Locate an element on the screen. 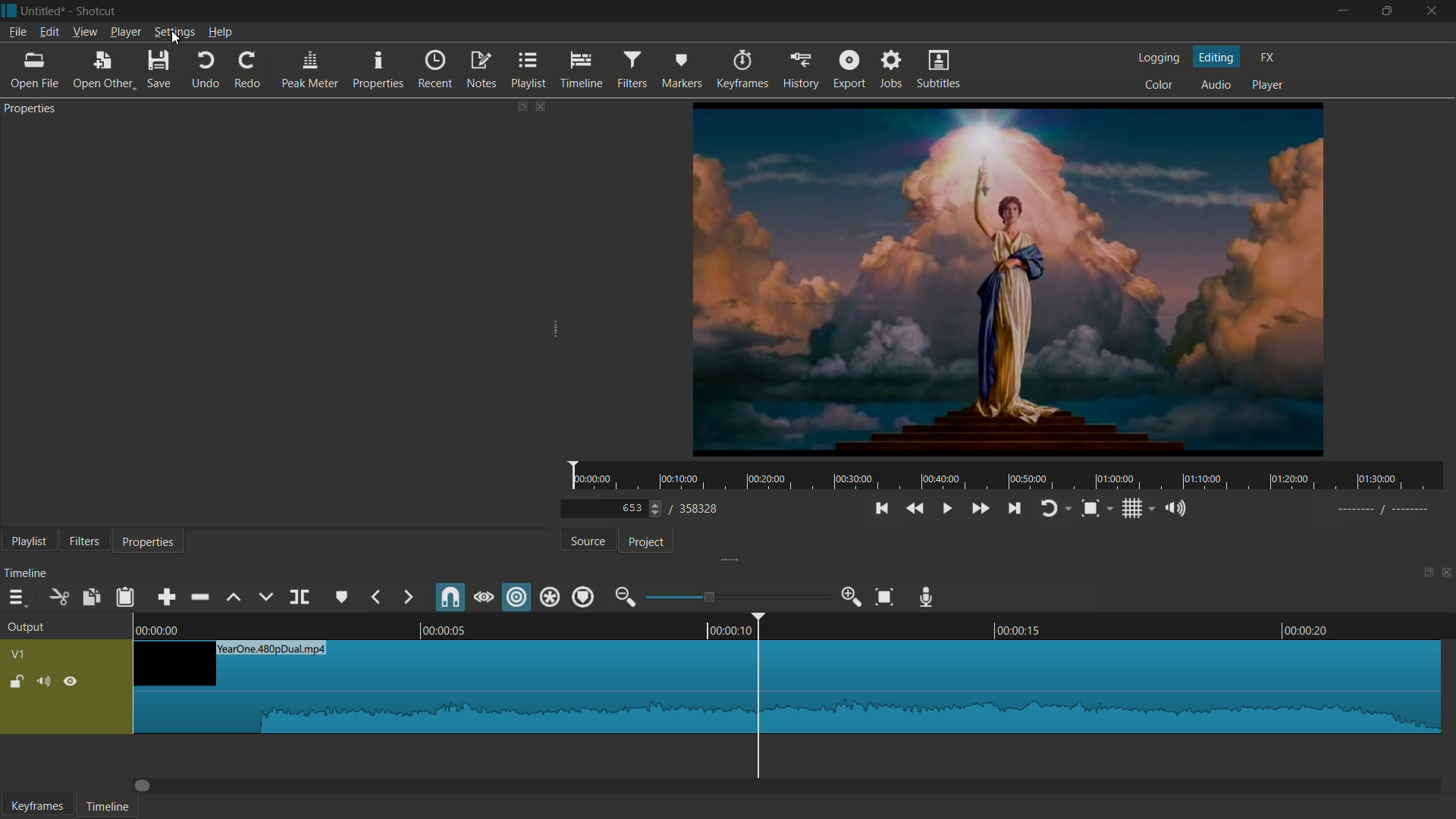  toggle zoom is located at coordinates (1097, 509).